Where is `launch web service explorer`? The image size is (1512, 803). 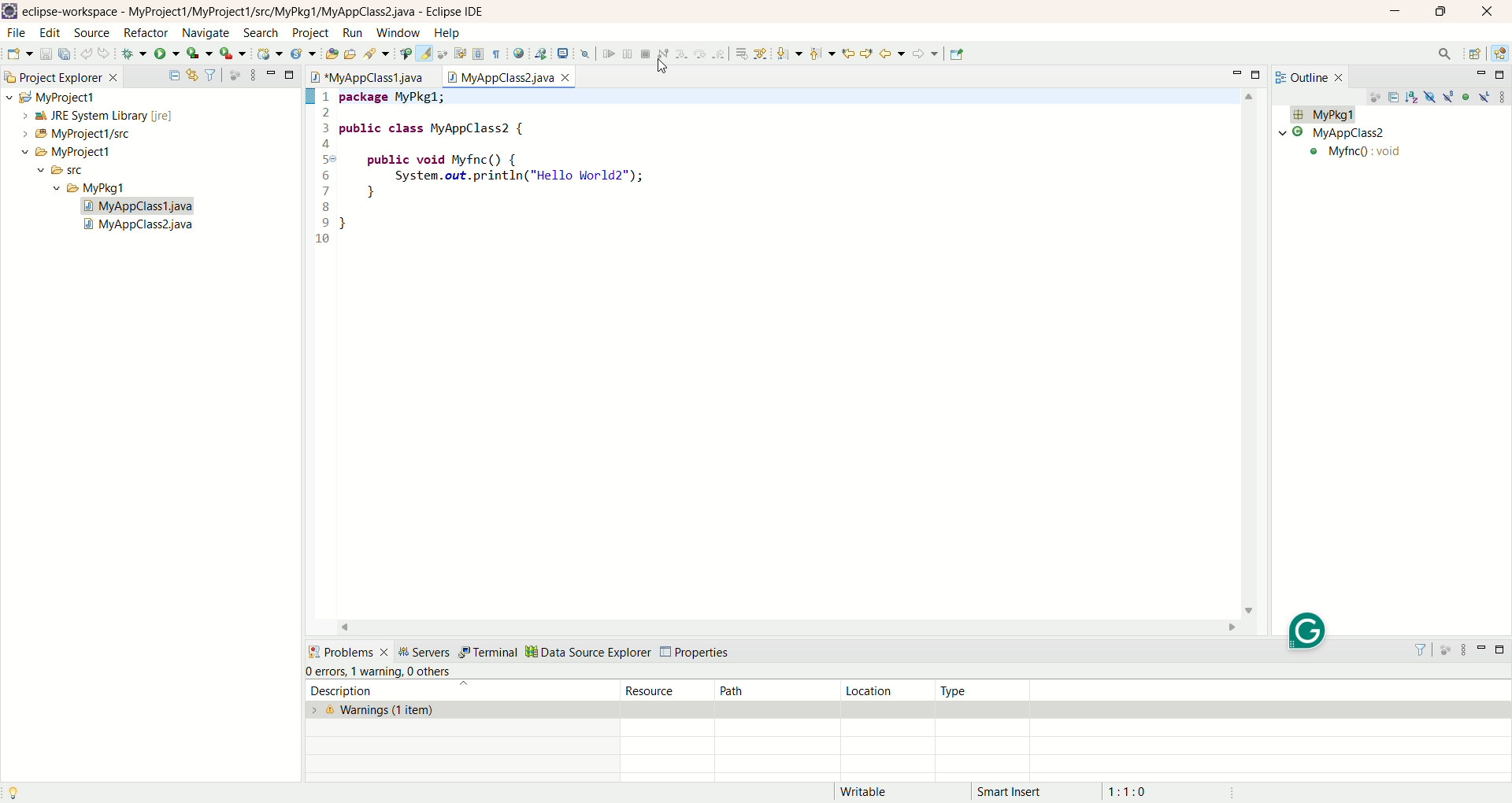
launch web service explorer is located at coordinates (541, 53).